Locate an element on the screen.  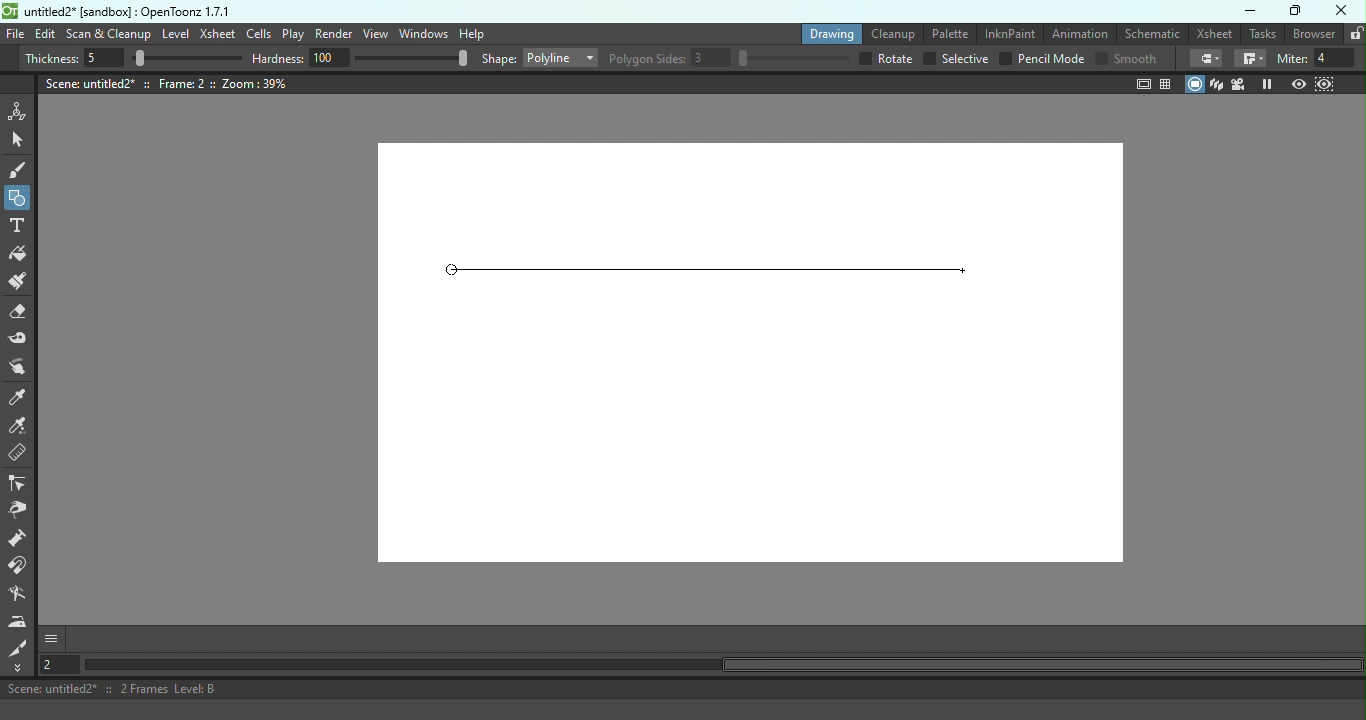
Tape tool is located at coordinates (22, 340).